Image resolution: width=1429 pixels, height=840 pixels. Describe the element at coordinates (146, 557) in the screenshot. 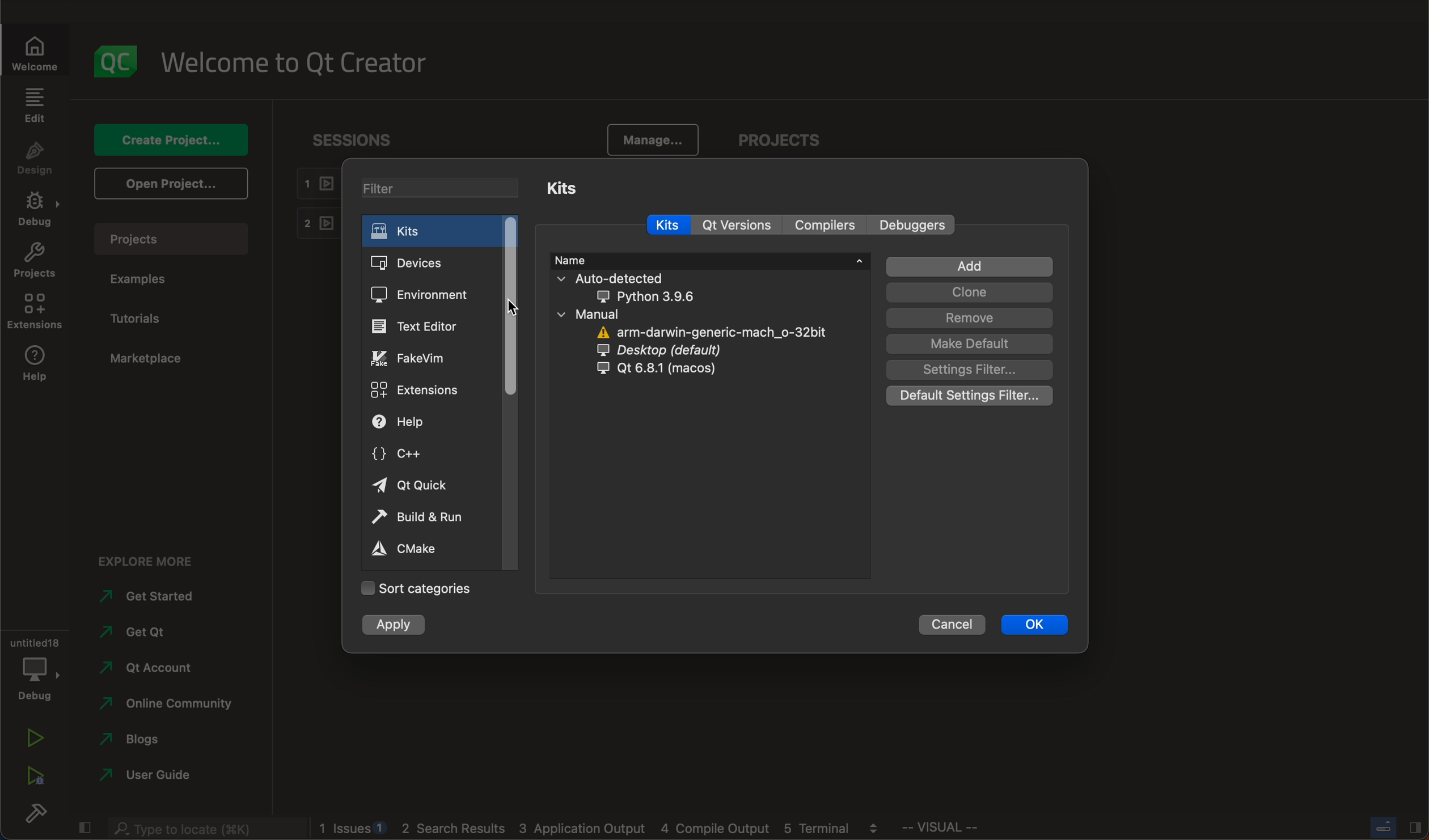

I see `explore` at that location.